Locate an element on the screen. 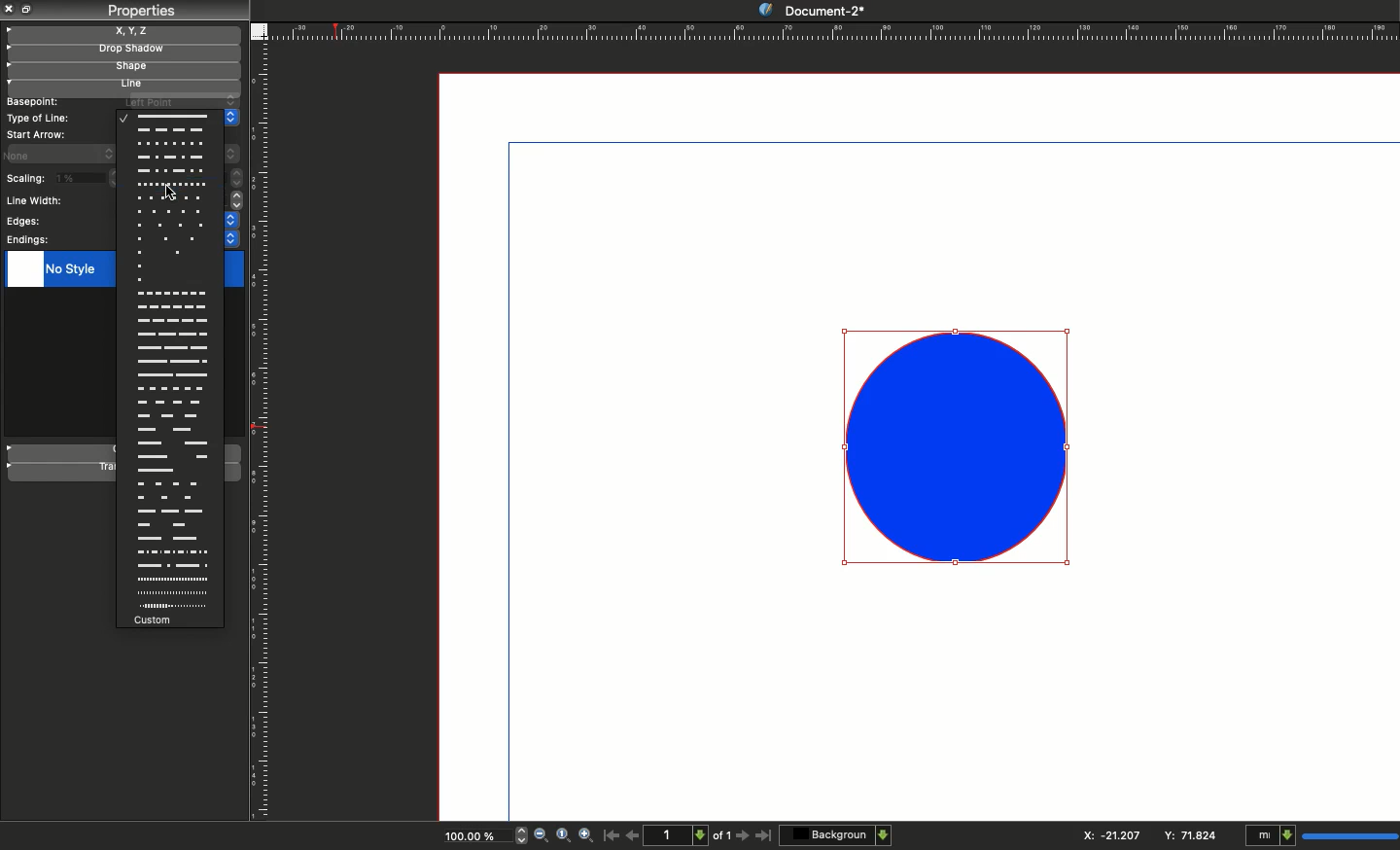 This screenshot has height=850, width=1400. mI is located at coordinates (1318, 836).